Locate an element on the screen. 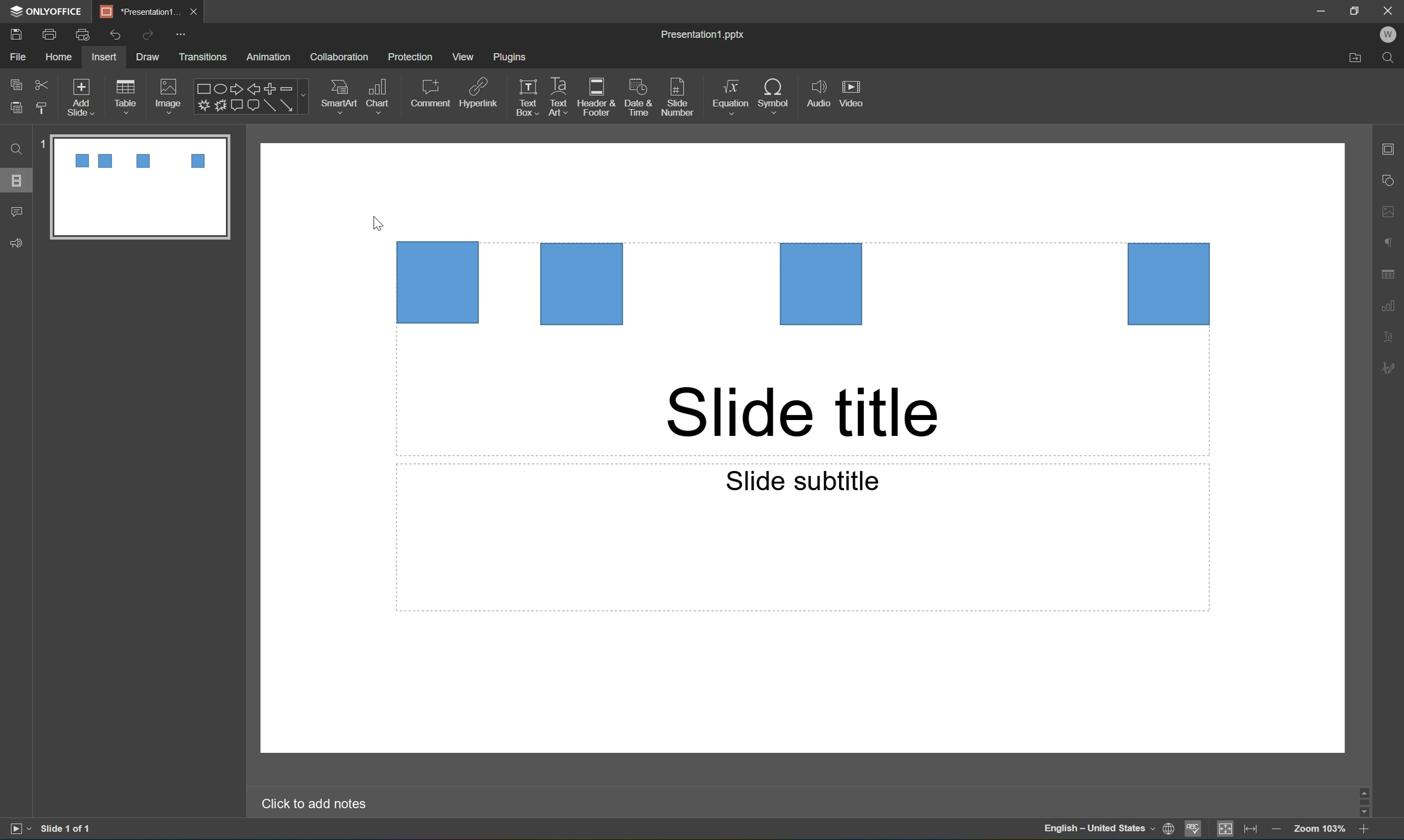 The image size is (1404, 840). smart art is located at coordinates (335, 94).